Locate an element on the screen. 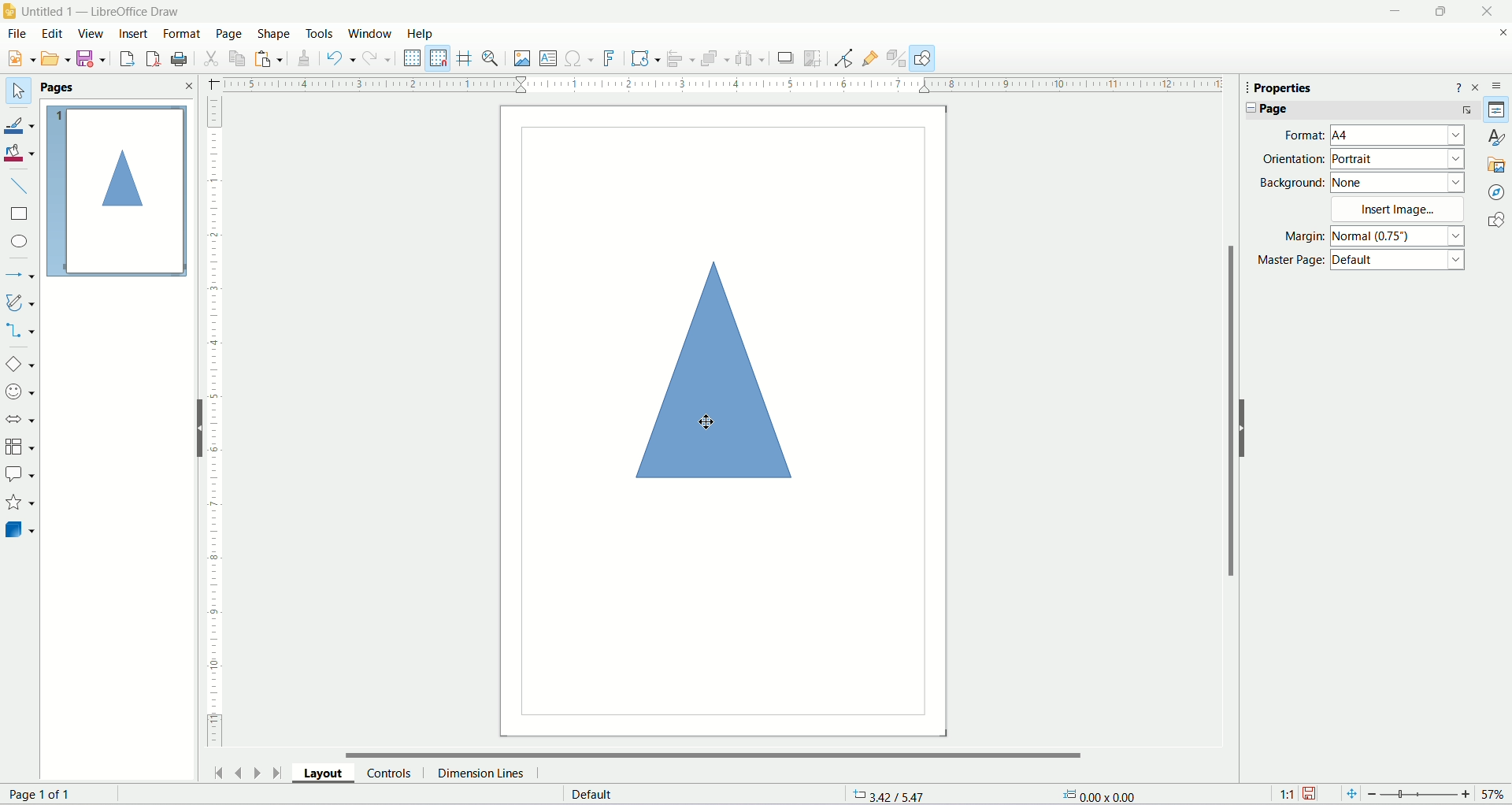 The height and width of the screenshot is (805, 1512). Page is located at coordinates (720, 423).